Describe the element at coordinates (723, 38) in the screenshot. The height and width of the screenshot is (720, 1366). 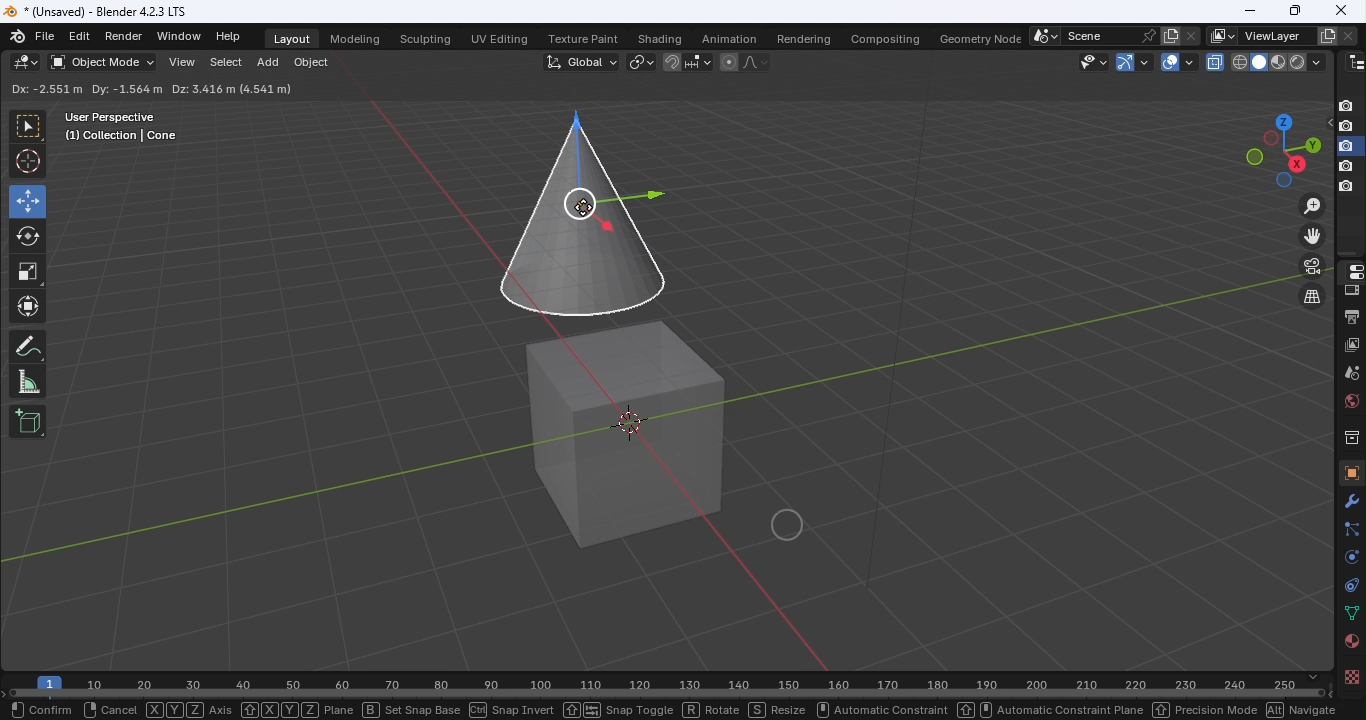
I see `Animation` at that location.